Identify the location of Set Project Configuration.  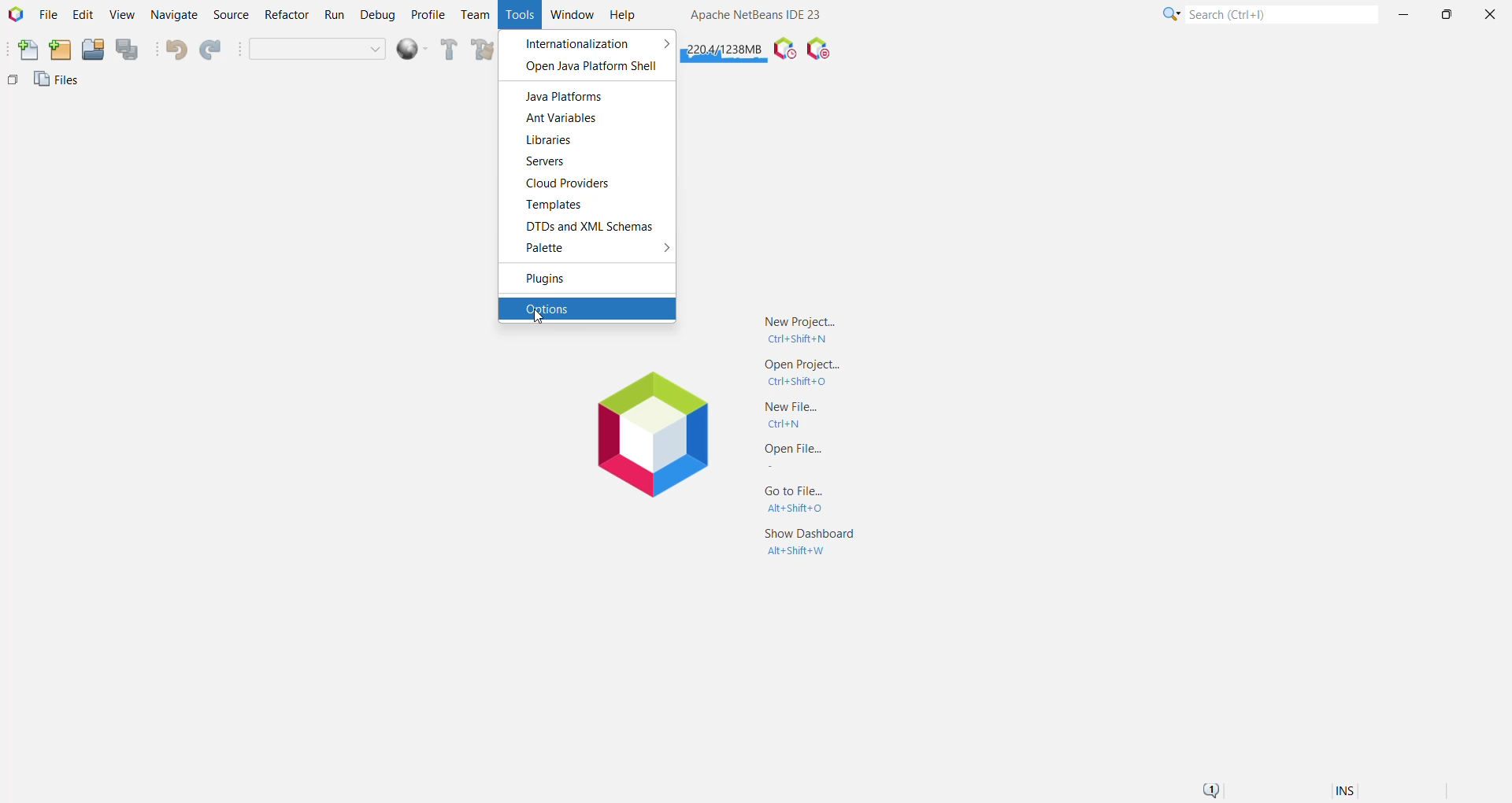
(318, 50).